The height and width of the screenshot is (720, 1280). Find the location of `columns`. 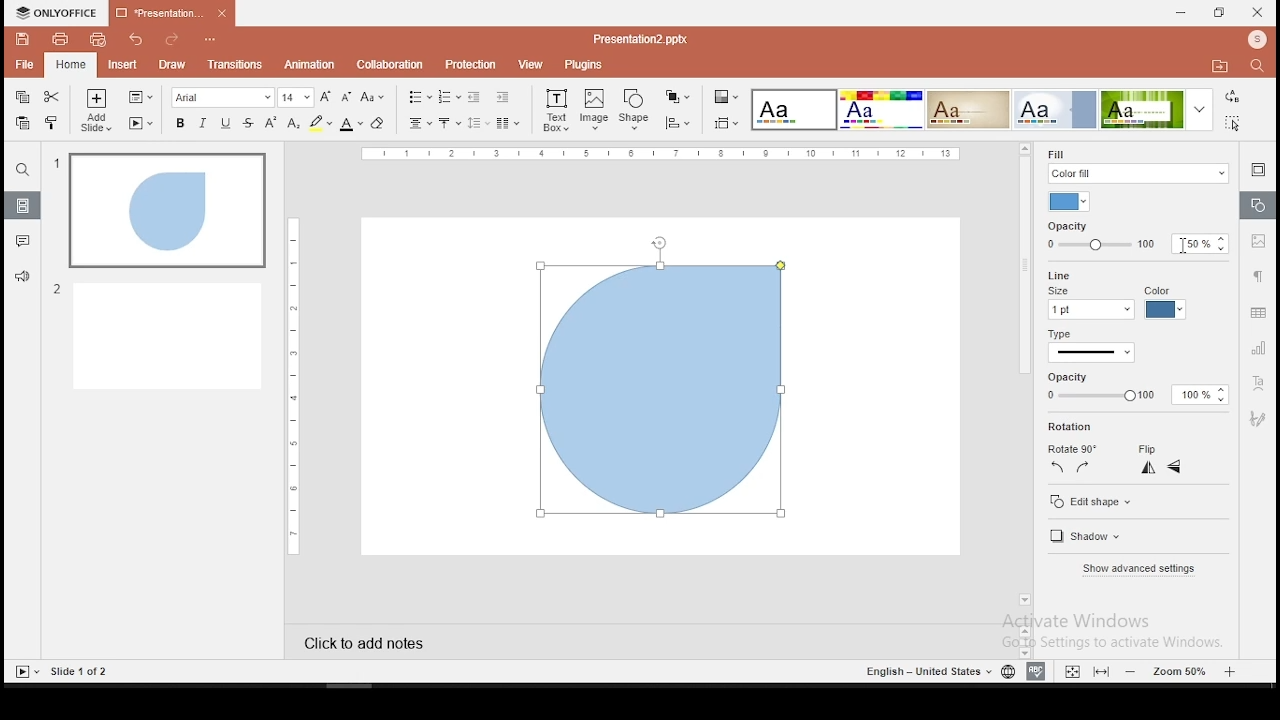

columns is located at coordinates (504, 123).